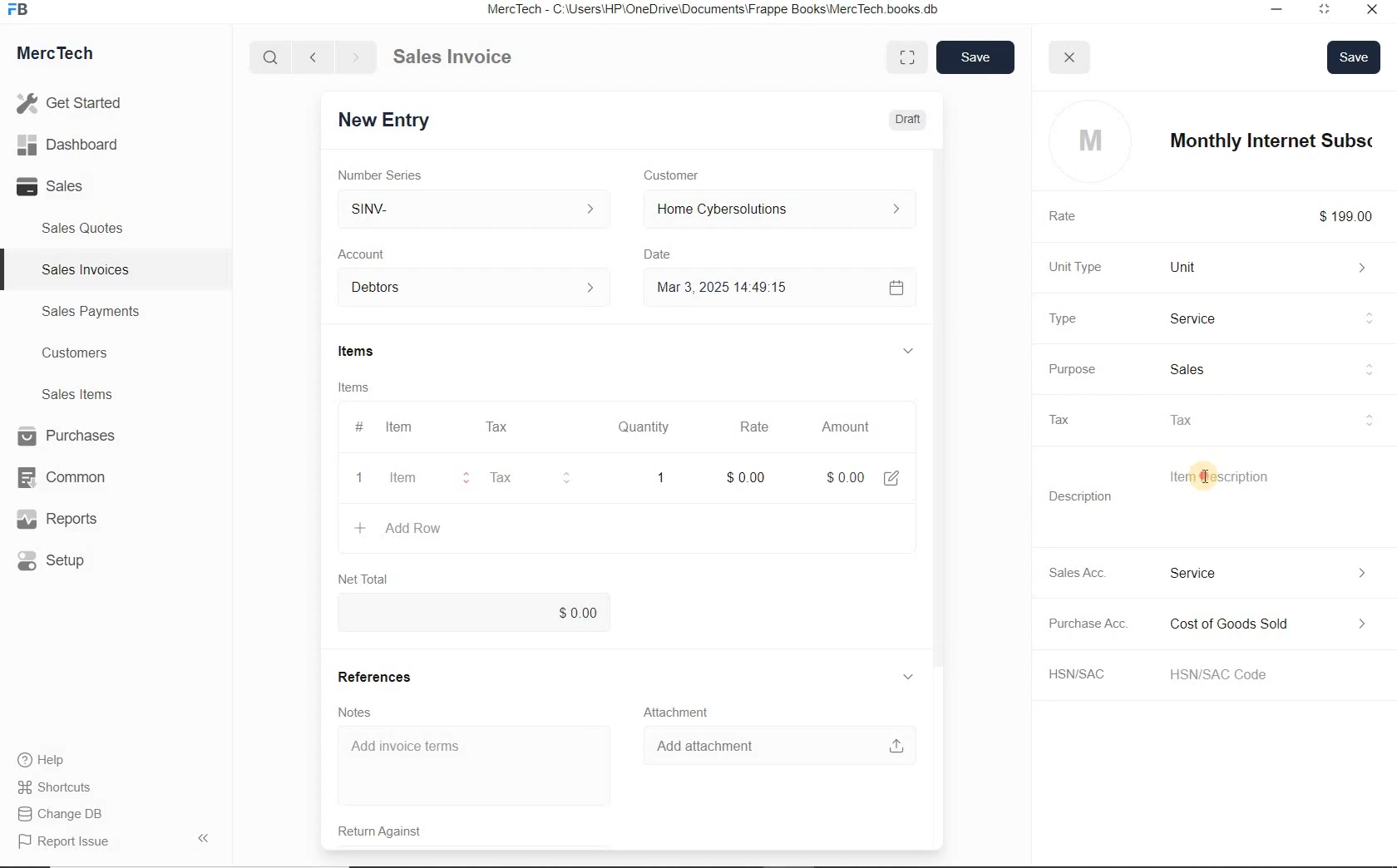  What do you see at coordinates (389, 119) in the screenshot?
I see `New Entry` at bounding box center [389, 119].